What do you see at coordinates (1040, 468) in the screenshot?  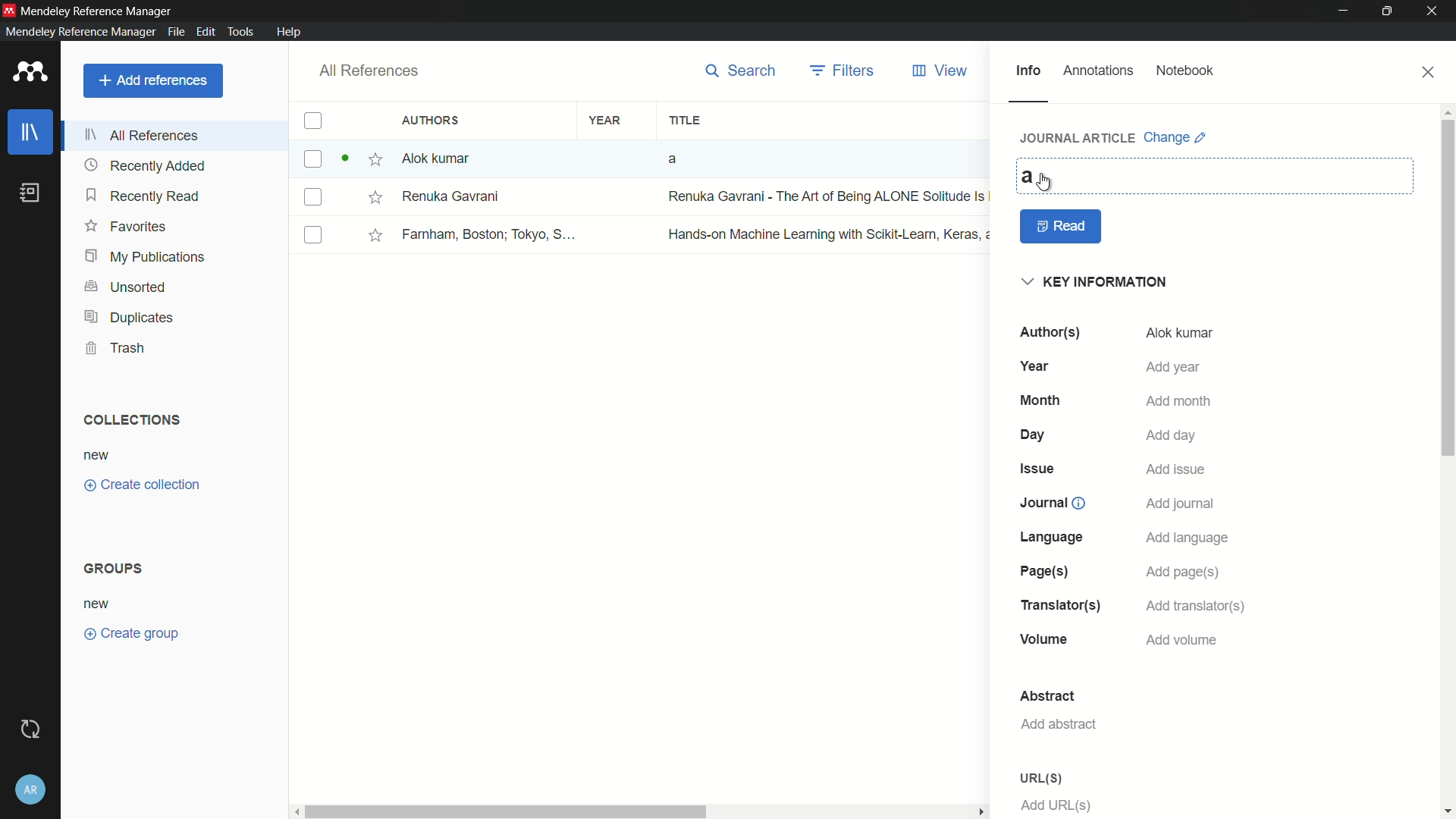 I see `issue` at bounding box center [1040, 468].